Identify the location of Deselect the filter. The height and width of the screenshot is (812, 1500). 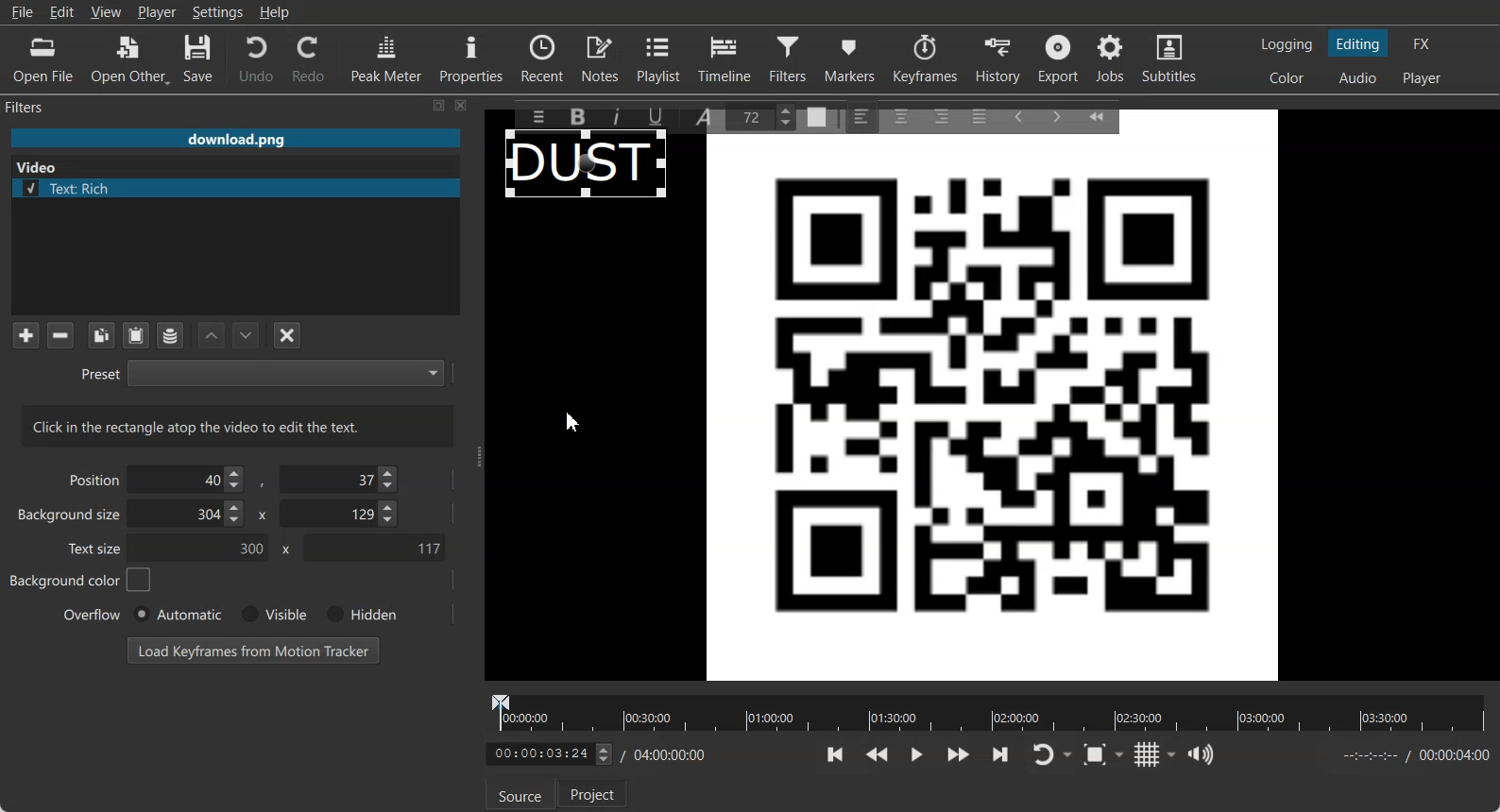
(288, 335).